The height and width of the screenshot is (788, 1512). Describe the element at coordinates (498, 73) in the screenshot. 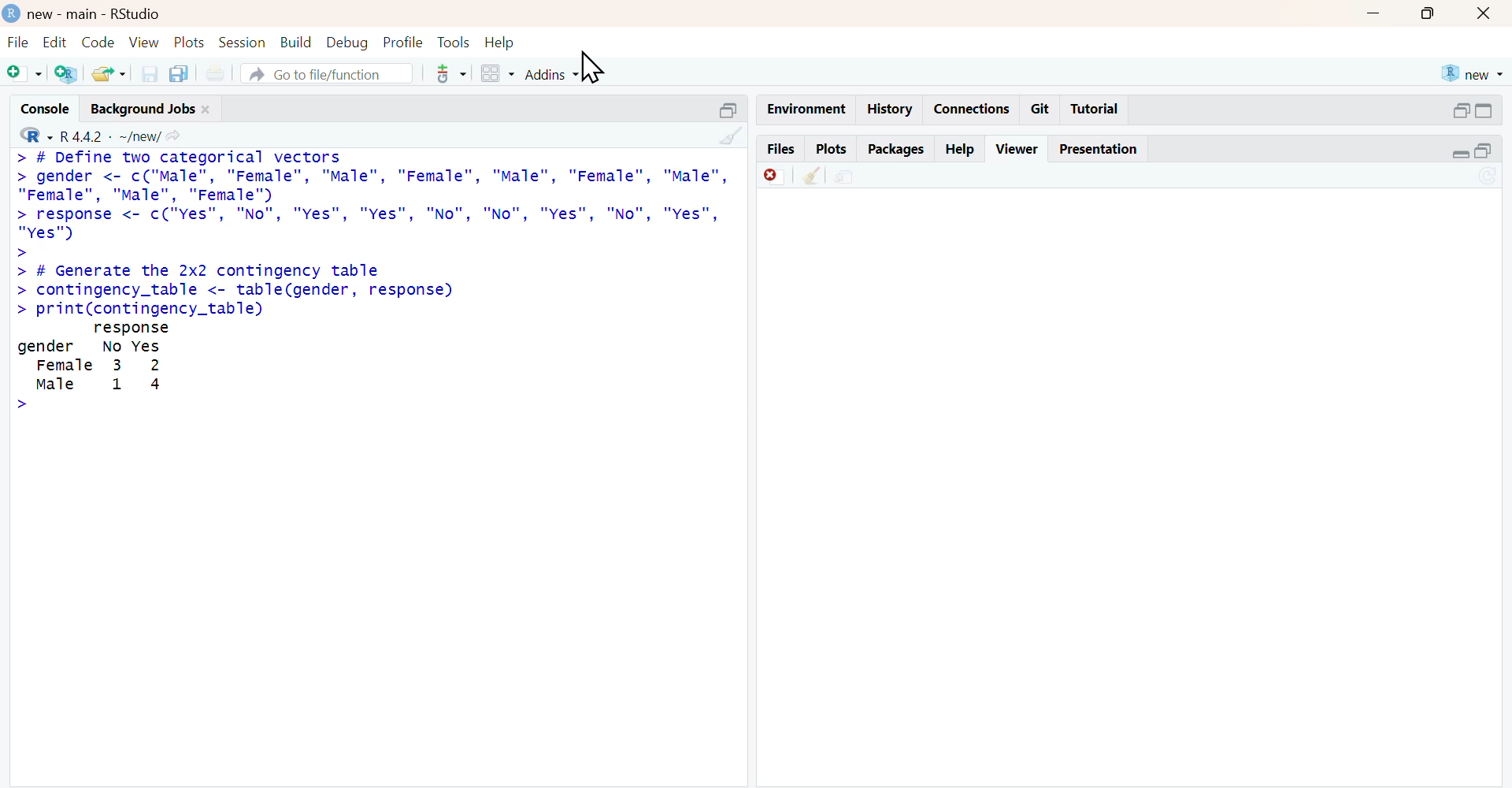

I see `grid` at that location.